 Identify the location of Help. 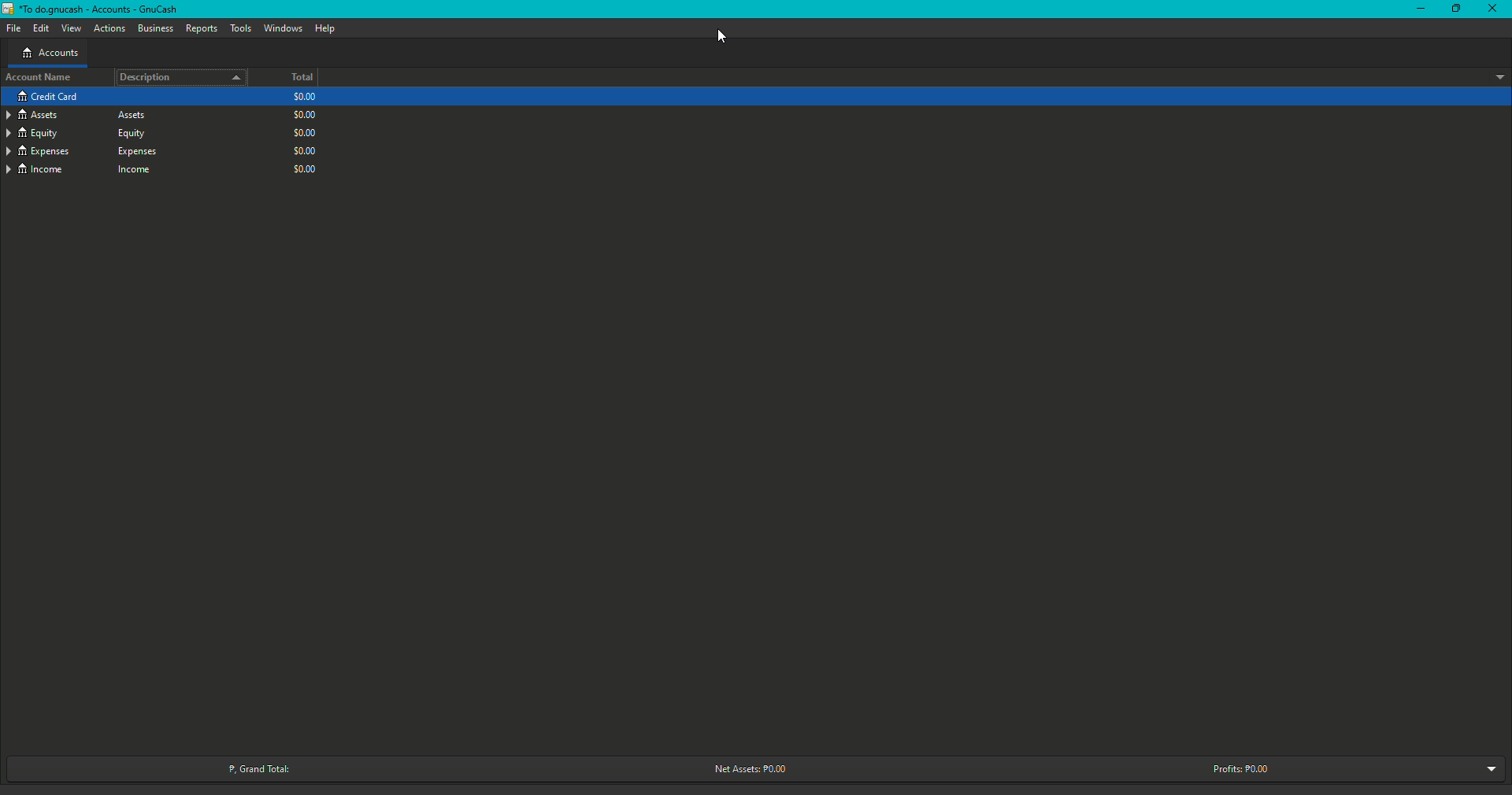
(324, 29).